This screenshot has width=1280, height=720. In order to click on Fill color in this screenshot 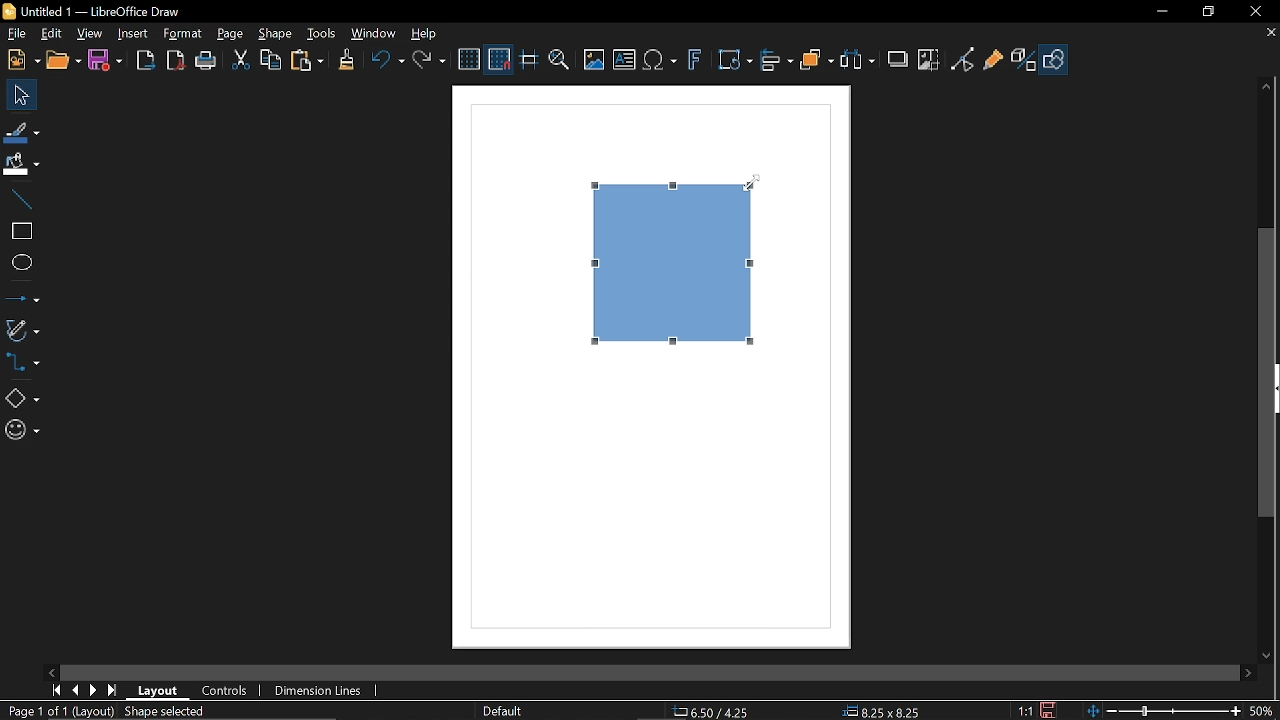, I will do `click(22, 164)`.